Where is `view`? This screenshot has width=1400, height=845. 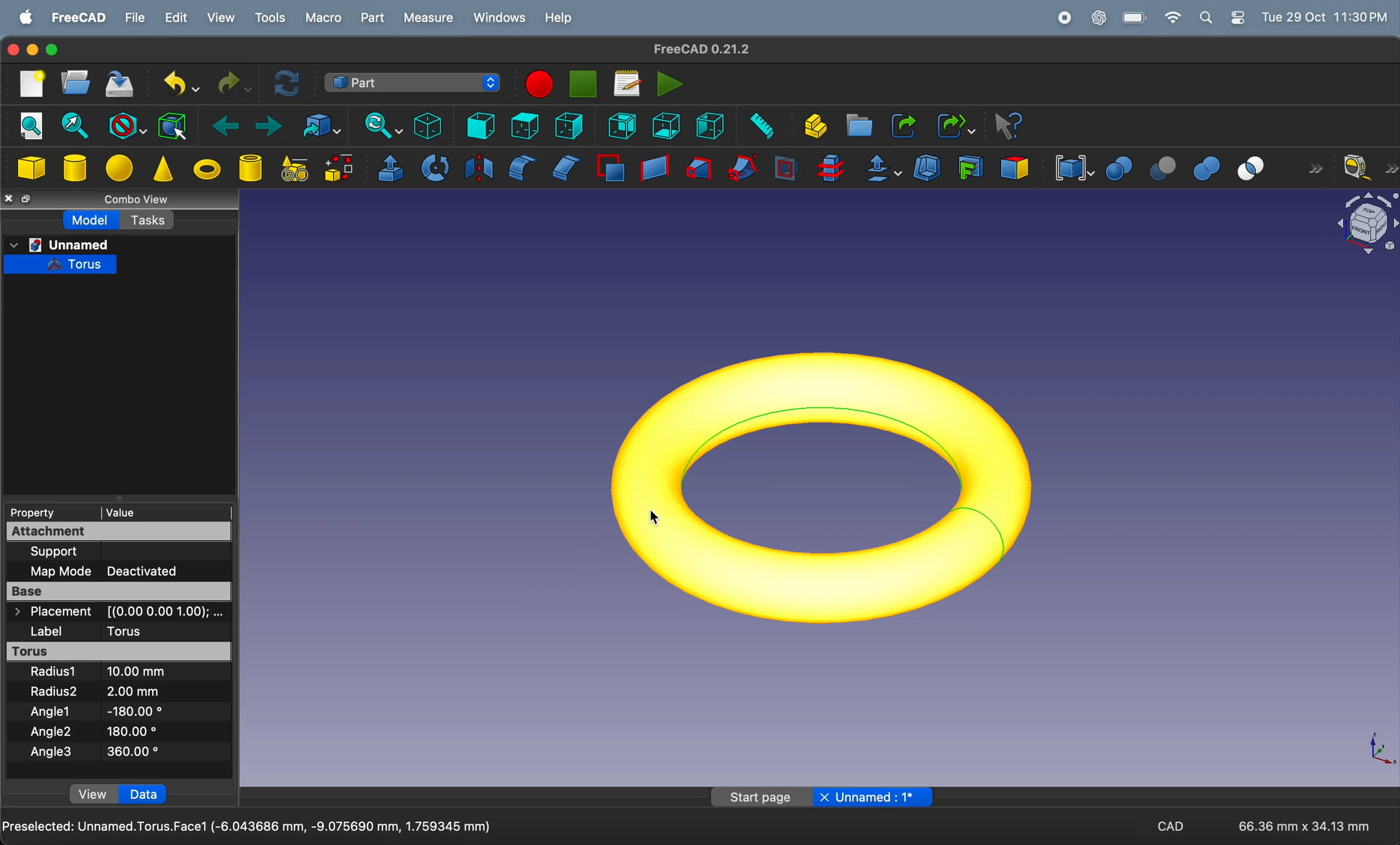 view is located at coordinates (220, 18).